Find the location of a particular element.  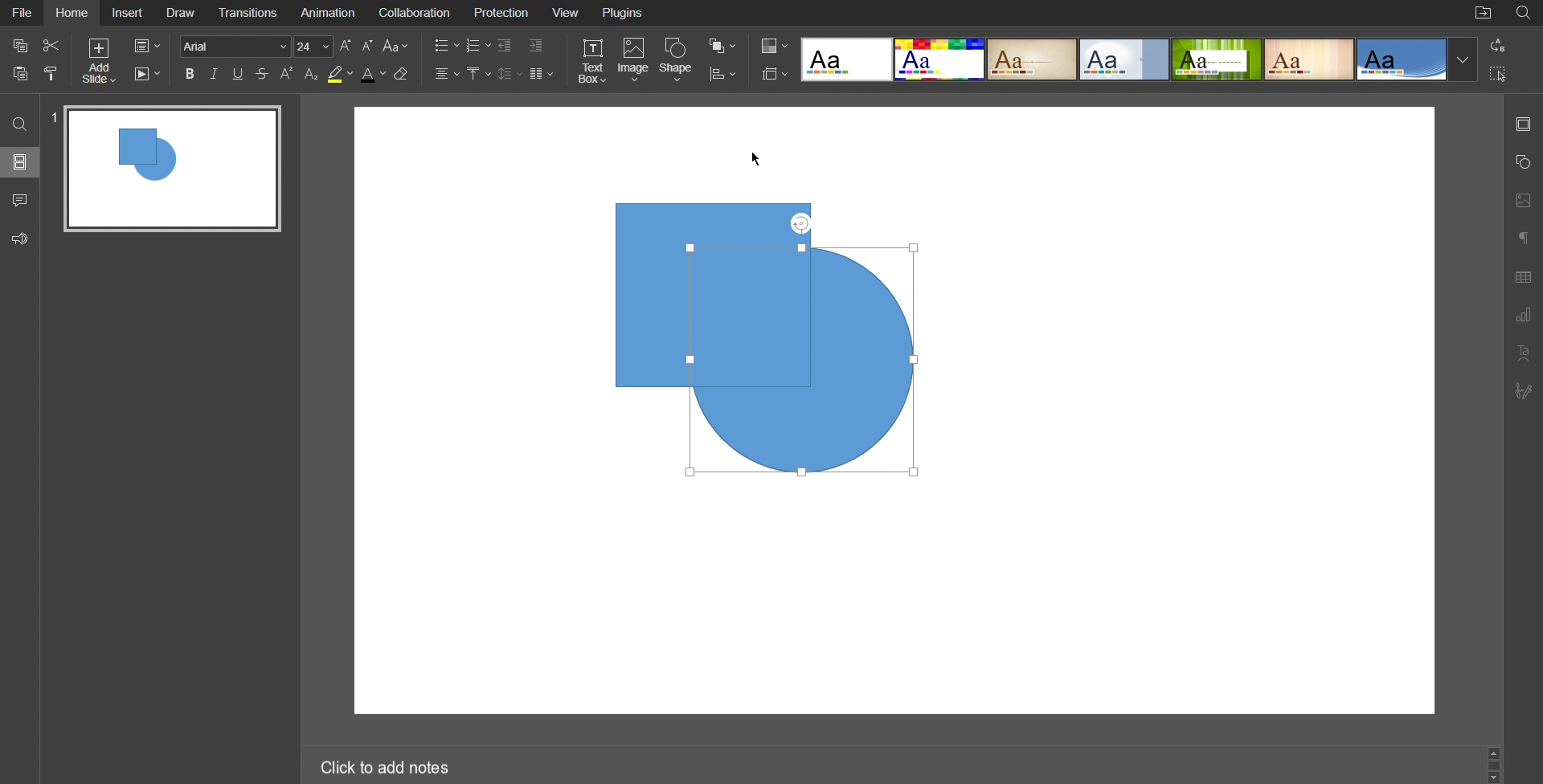

Comments is located at coordinates (18, 202).